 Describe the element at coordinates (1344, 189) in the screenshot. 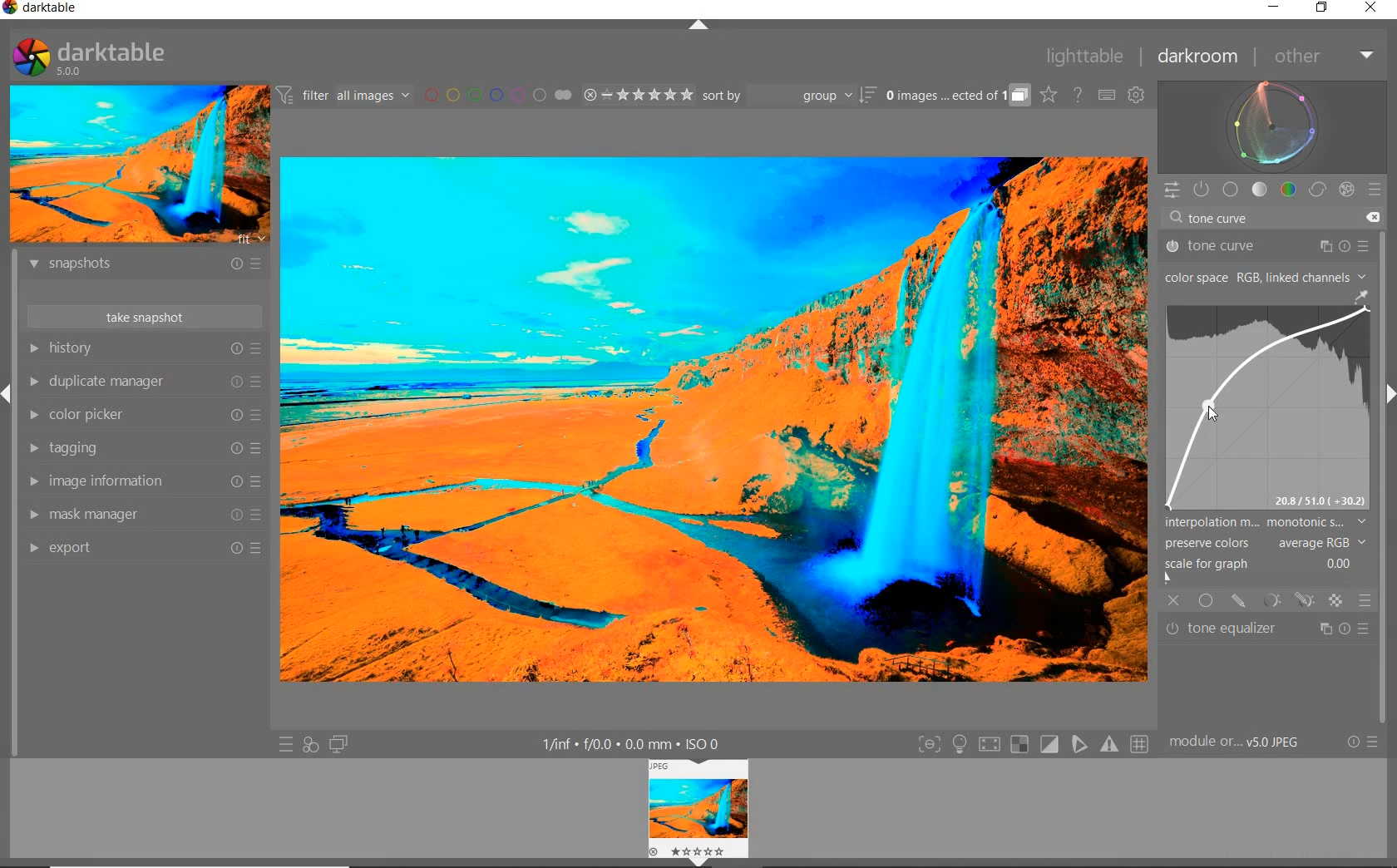

I see `effect` at that location.